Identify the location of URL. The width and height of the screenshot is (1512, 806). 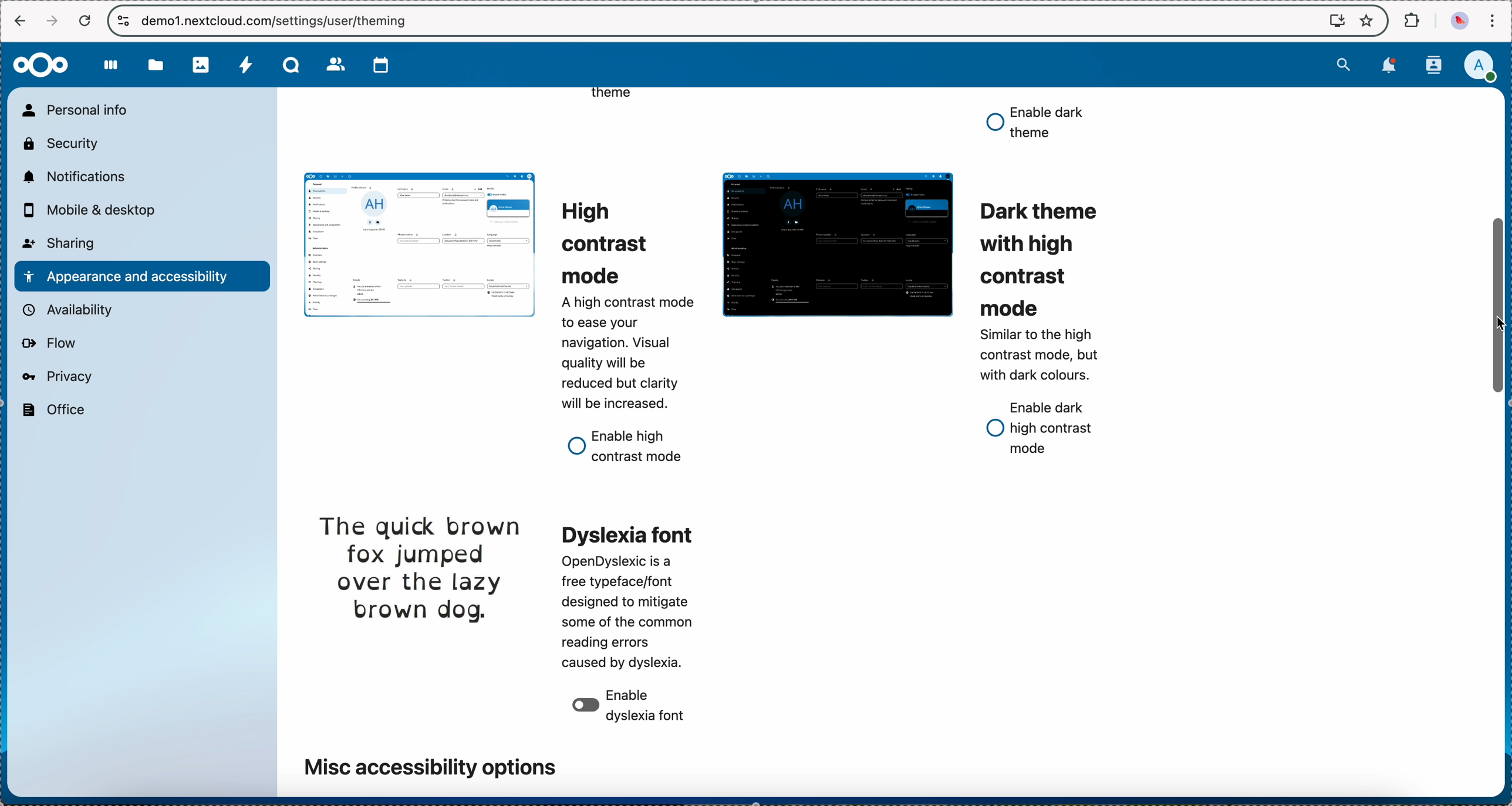
(283, 21).